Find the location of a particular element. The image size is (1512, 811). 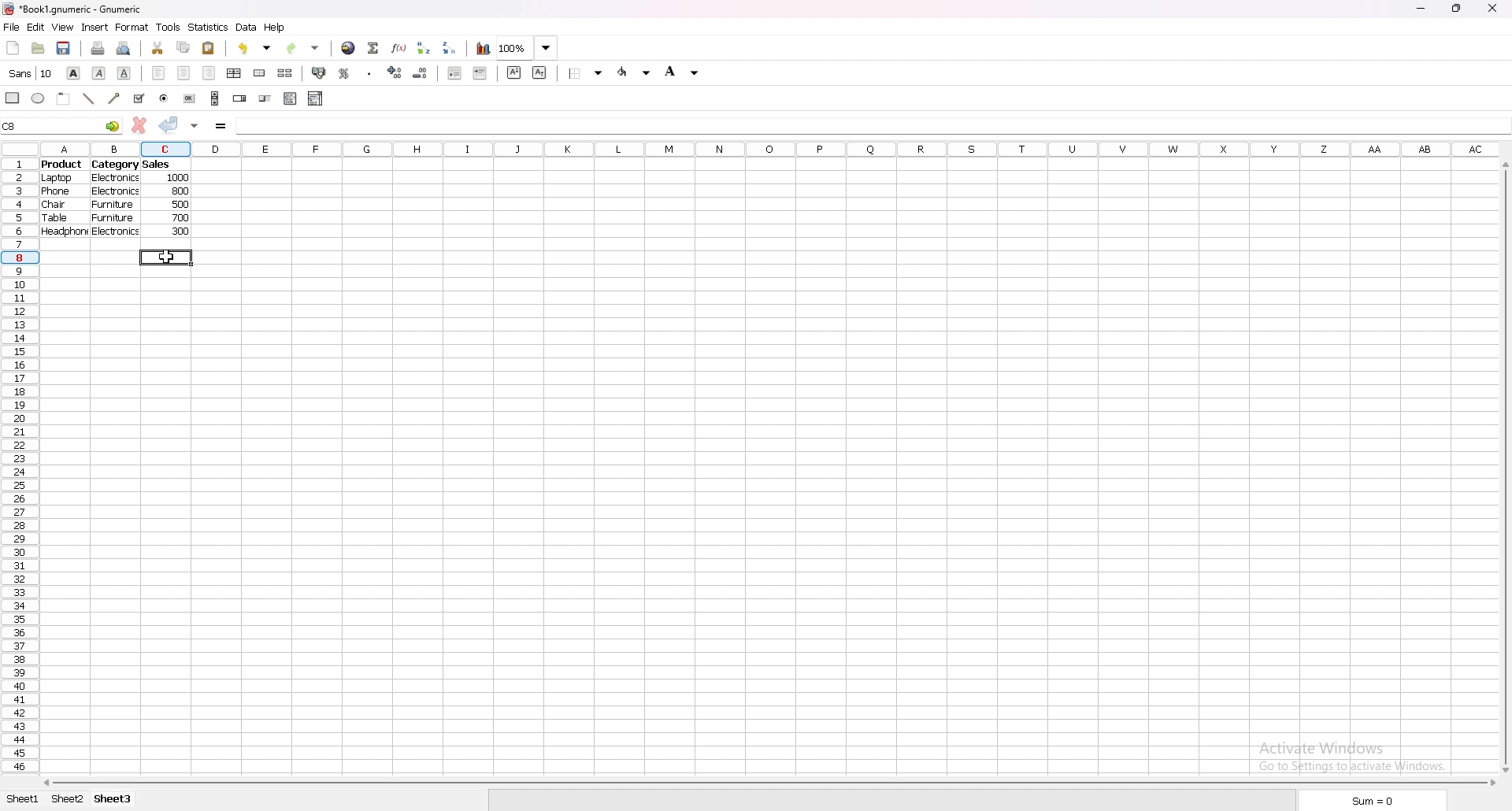

print preview is located at coordinates (124, 47).